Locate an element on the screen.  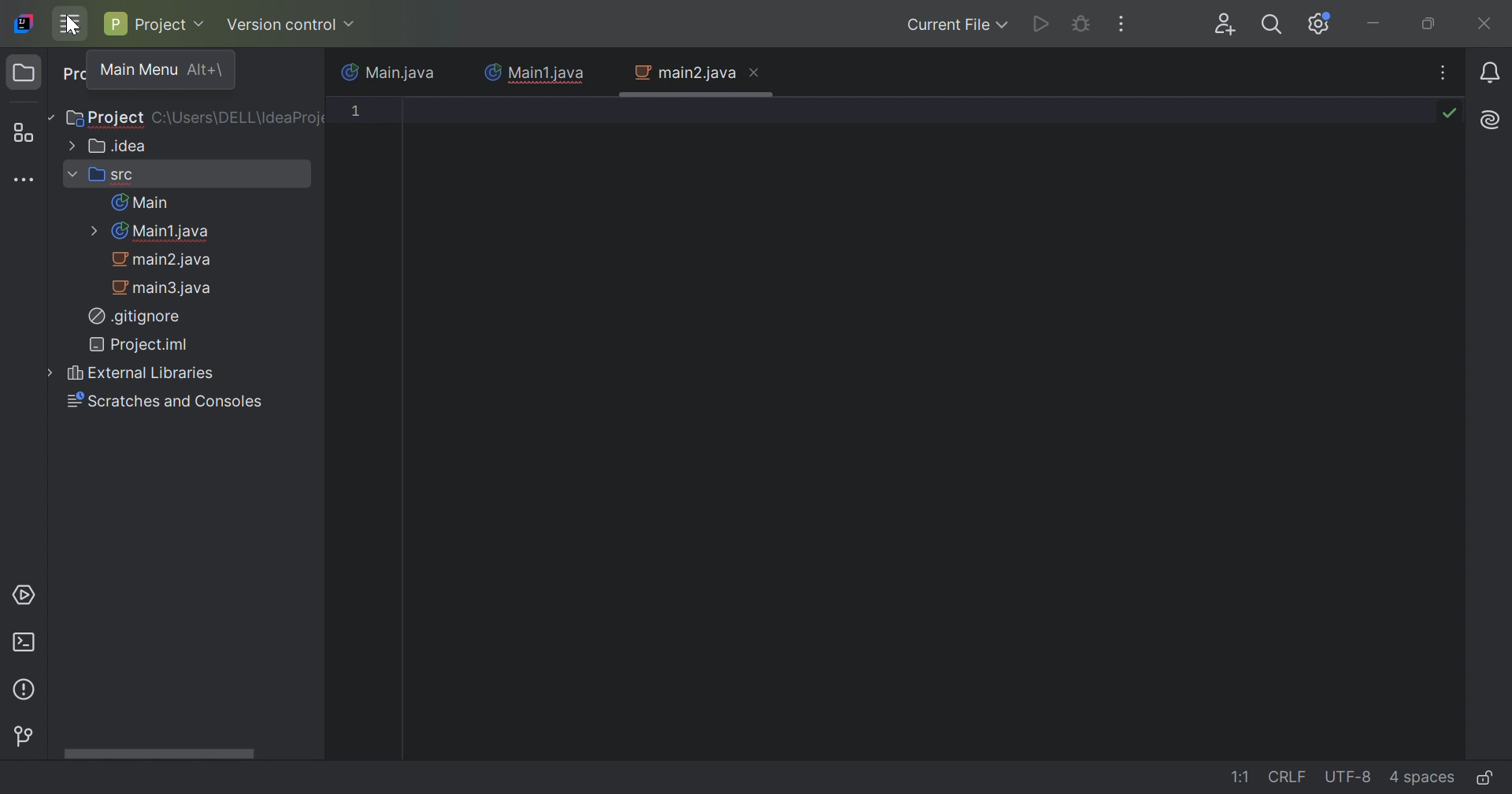
Close is located at coordinates (754, 75).